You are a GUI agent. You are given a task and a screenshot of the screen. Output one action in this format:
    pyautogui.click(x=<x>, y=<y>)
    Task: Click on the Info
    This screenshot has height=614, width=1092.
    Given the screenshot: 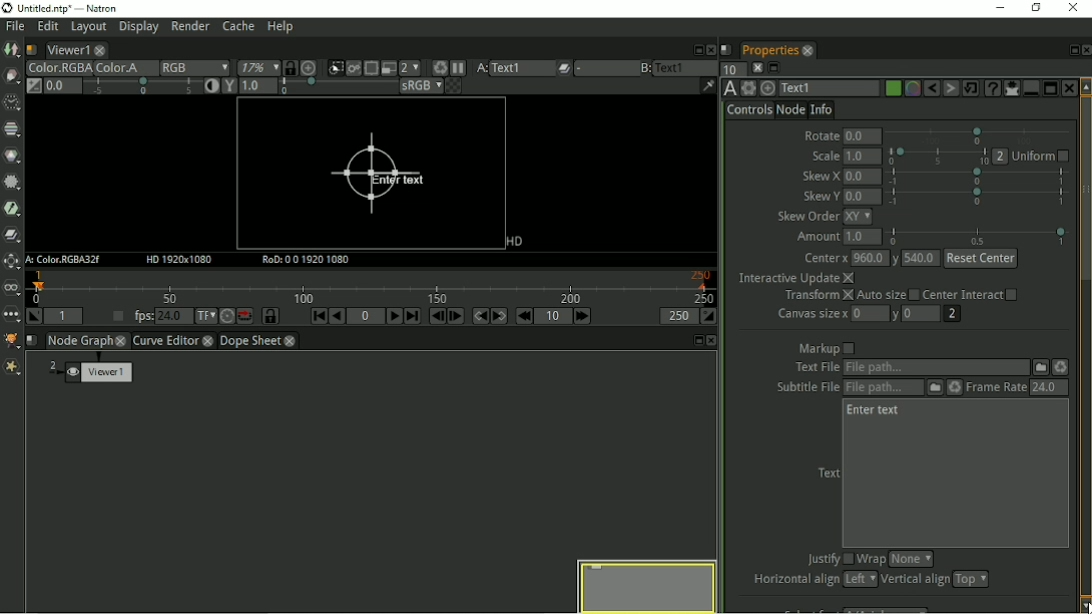 What is the action you would take?
    pyautogui.click(x=823, y=110)
    